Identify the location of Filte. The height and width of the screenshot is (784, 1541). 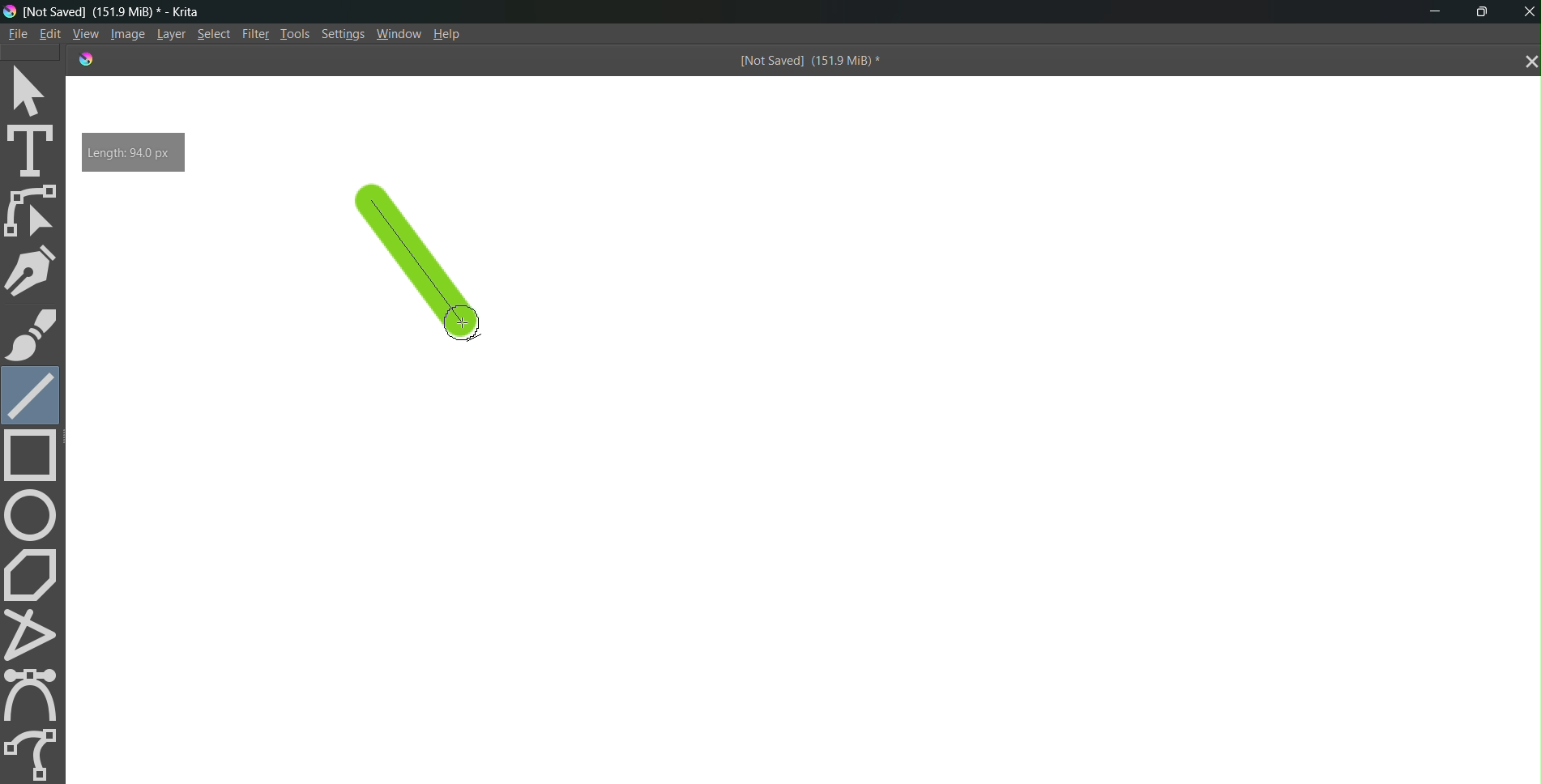
(252, 32).